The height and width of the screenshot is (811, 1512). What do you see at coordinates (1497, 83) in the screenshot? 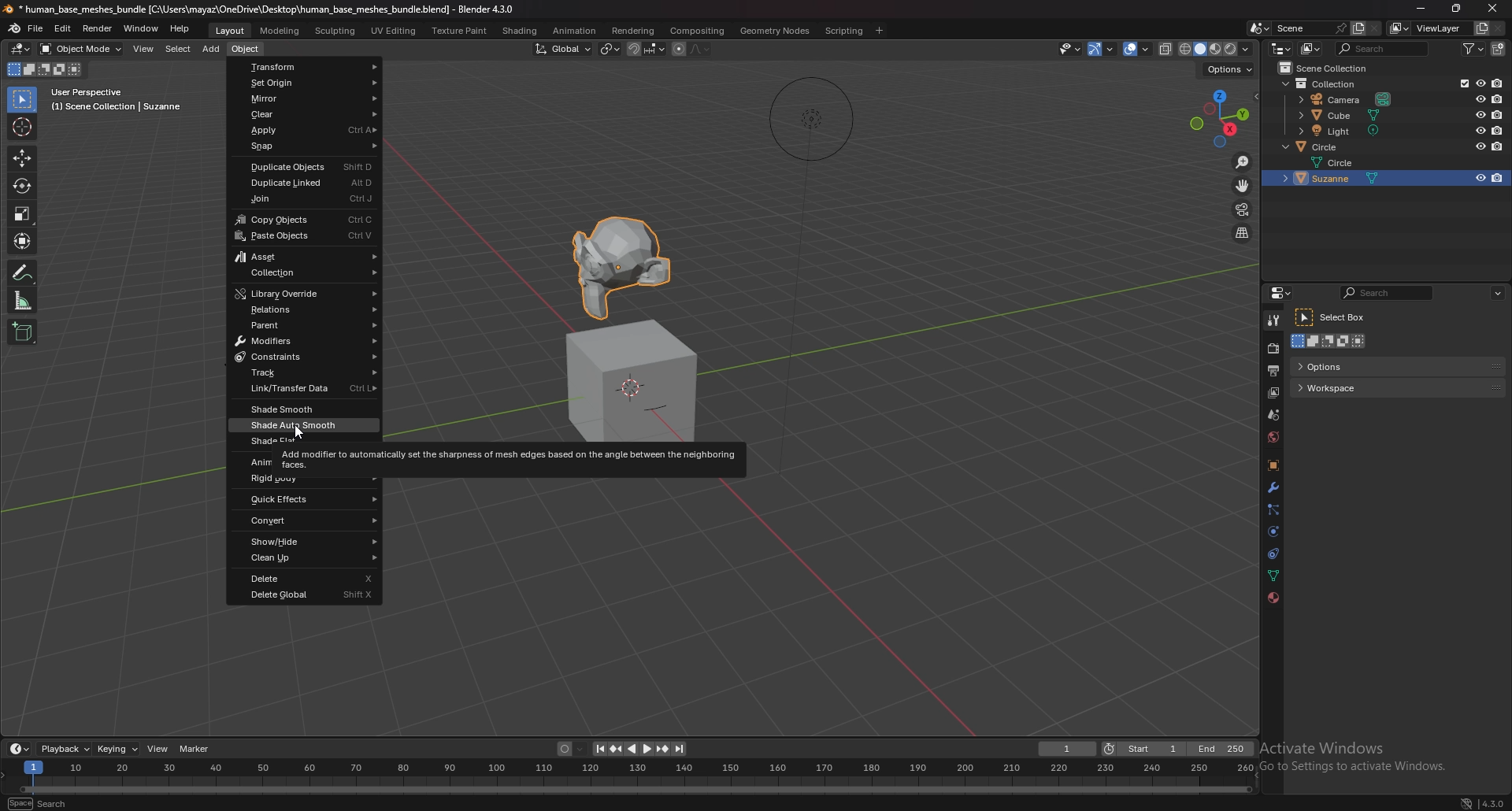
I see `disable in renders` at bounding box center [1497, 83].